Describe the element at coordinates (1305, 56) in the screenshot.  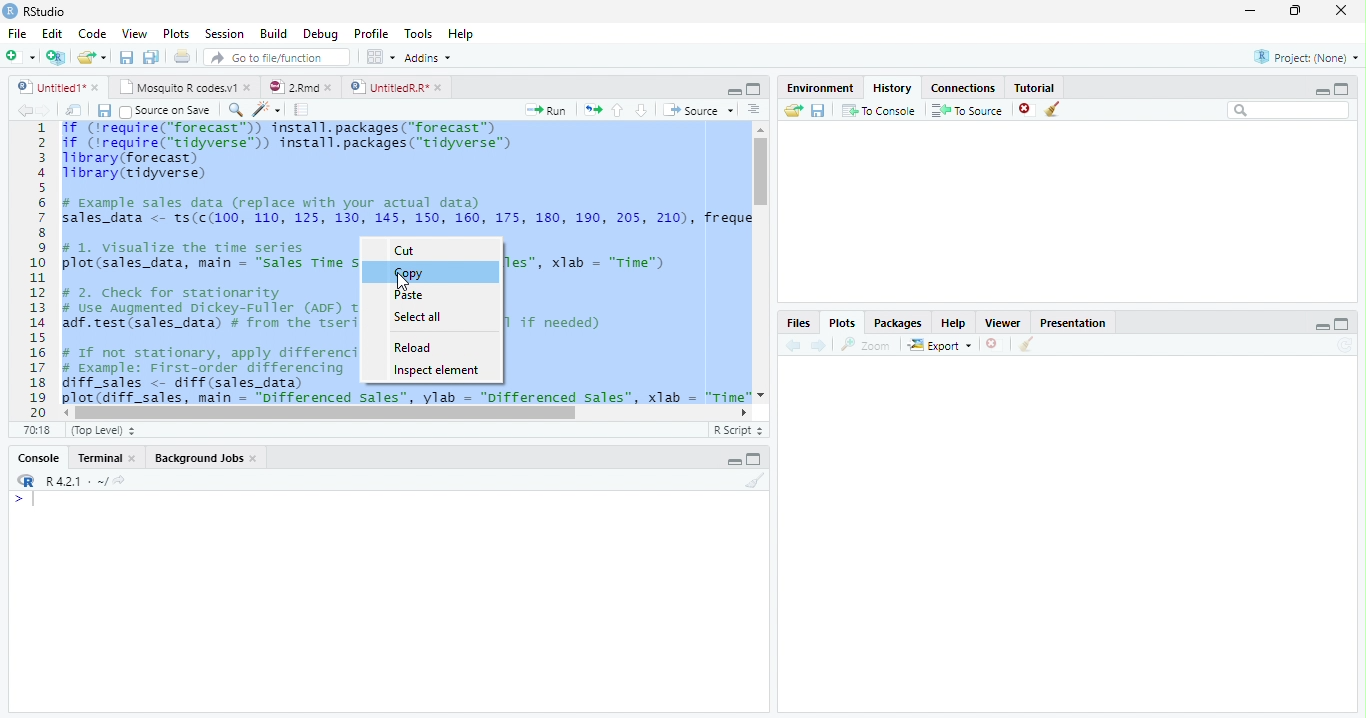
I see `Project(none)` at that location.